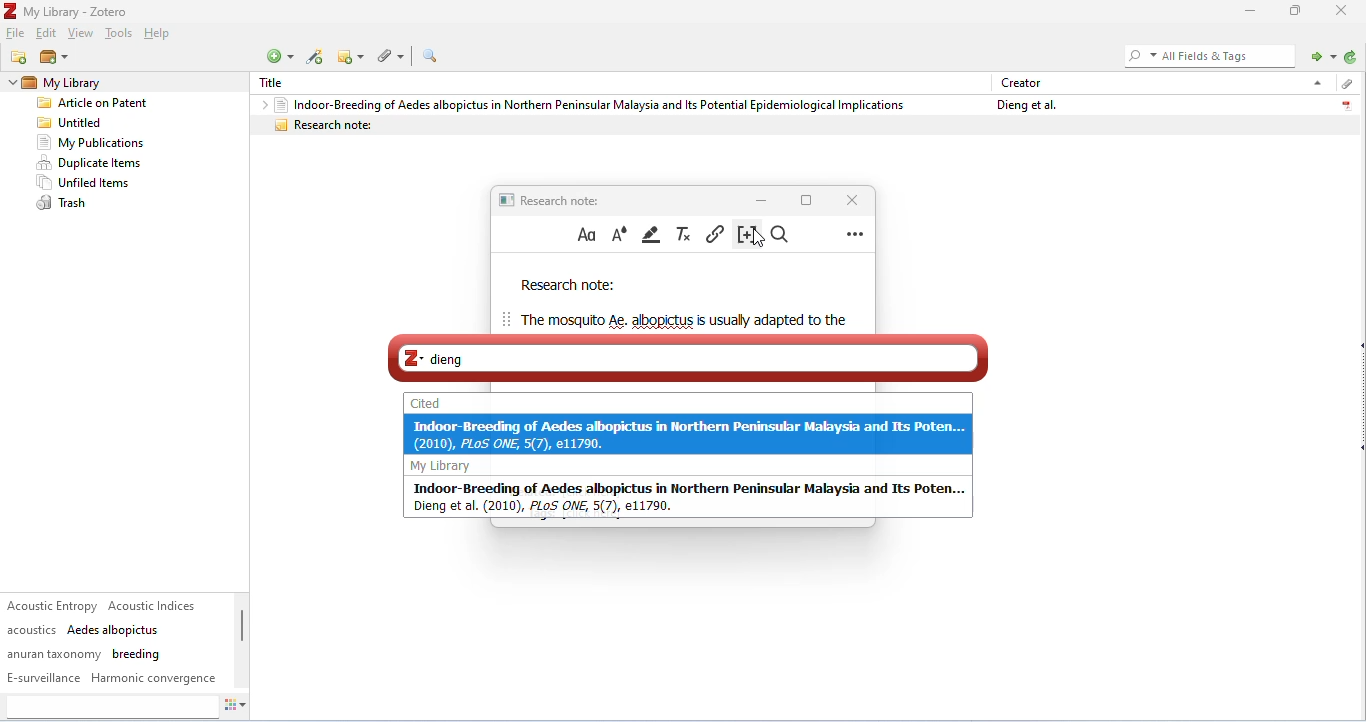 Image resolution: width=1366 pixels, height=722 pixels. Describe the element at coordinates (90, 143) in the screenshot. I see `my publication` at that location.